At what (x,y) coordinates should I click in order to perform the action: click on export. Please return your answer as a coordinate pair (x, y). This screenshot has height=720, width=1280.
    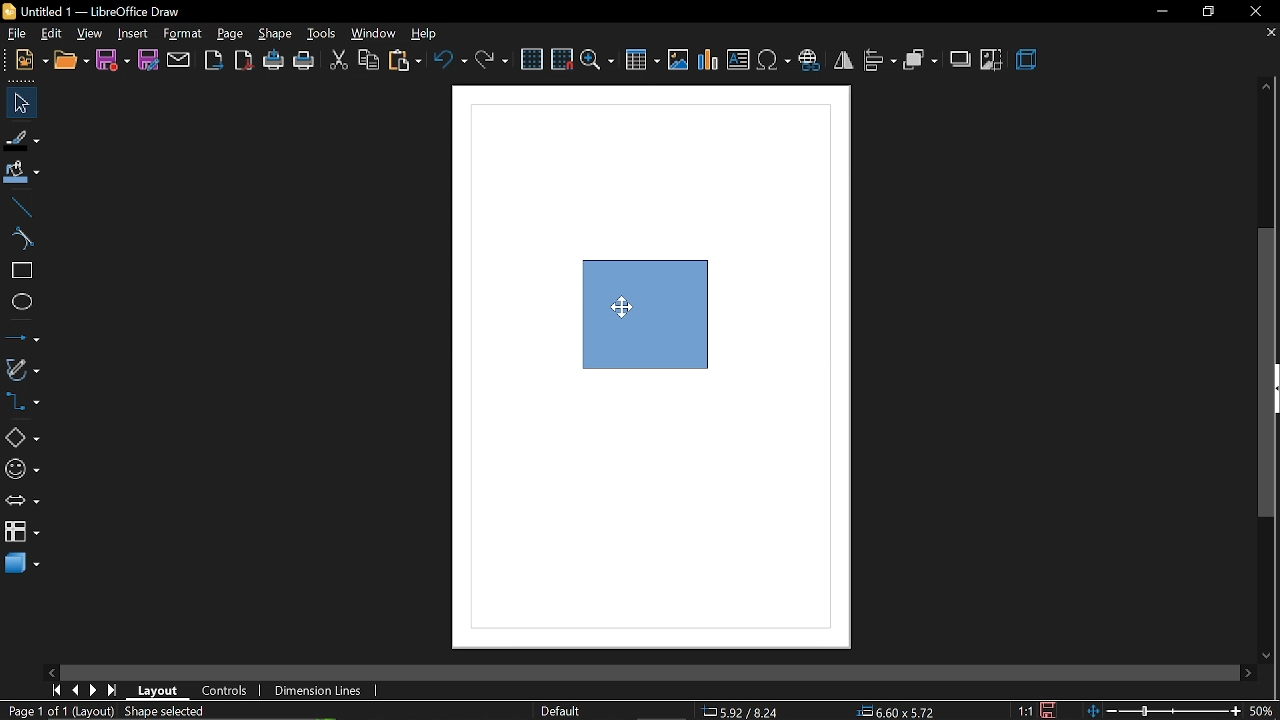
    Looking at the image, I should click on (216, 60).